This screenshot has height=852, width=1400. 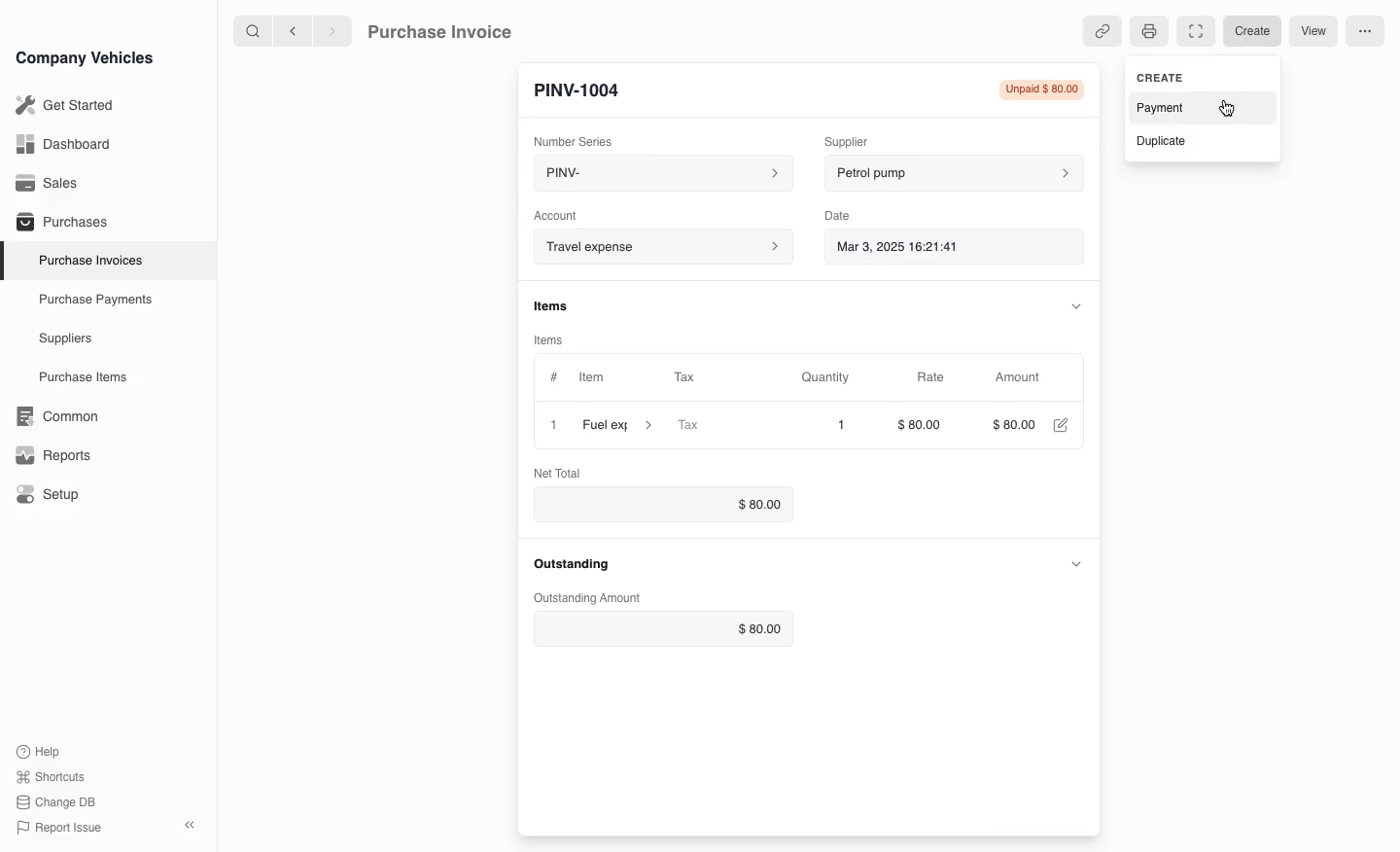 What do you see at coordinates (660, 630) in the screenshot?
I see `$80.00` at bounding box center [660, 630].